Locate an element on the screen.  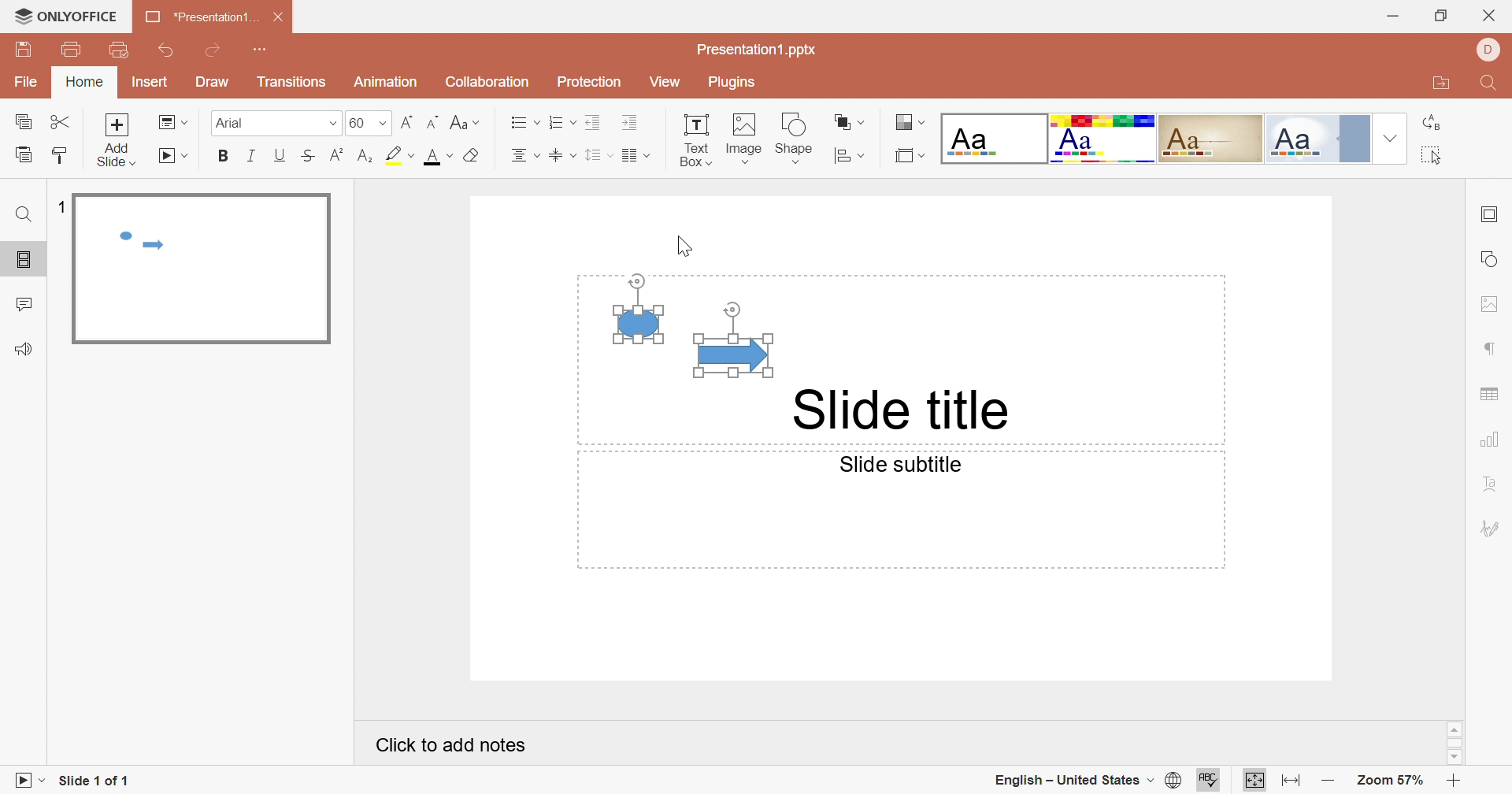
Paste is located at coordinates (24, 159).